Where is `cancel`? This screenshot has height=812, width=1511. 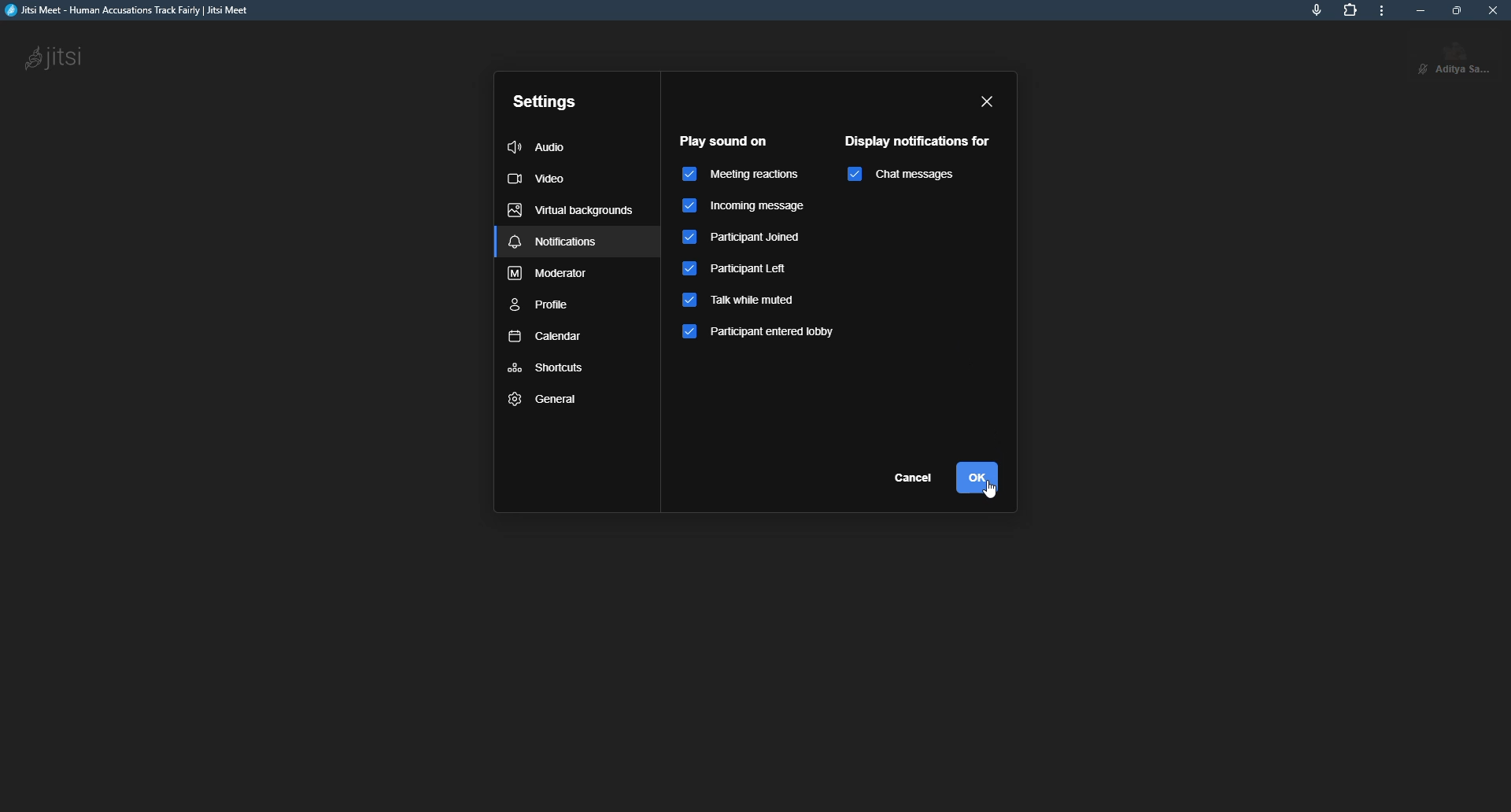
cancel is located at coordinates (916, 479).